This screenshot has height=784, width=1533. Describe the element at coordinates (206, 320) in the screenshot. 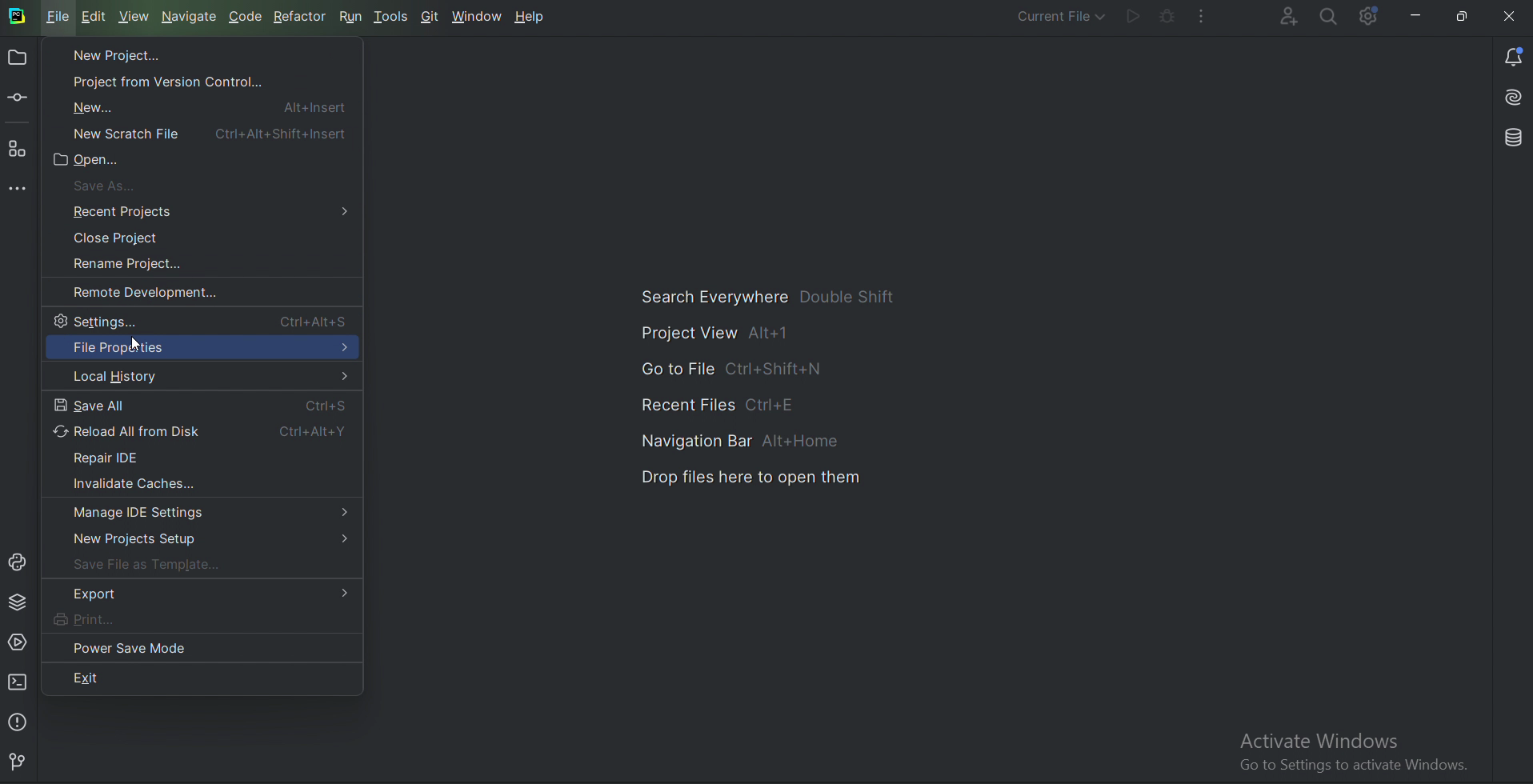

I see `Settings` at that location.